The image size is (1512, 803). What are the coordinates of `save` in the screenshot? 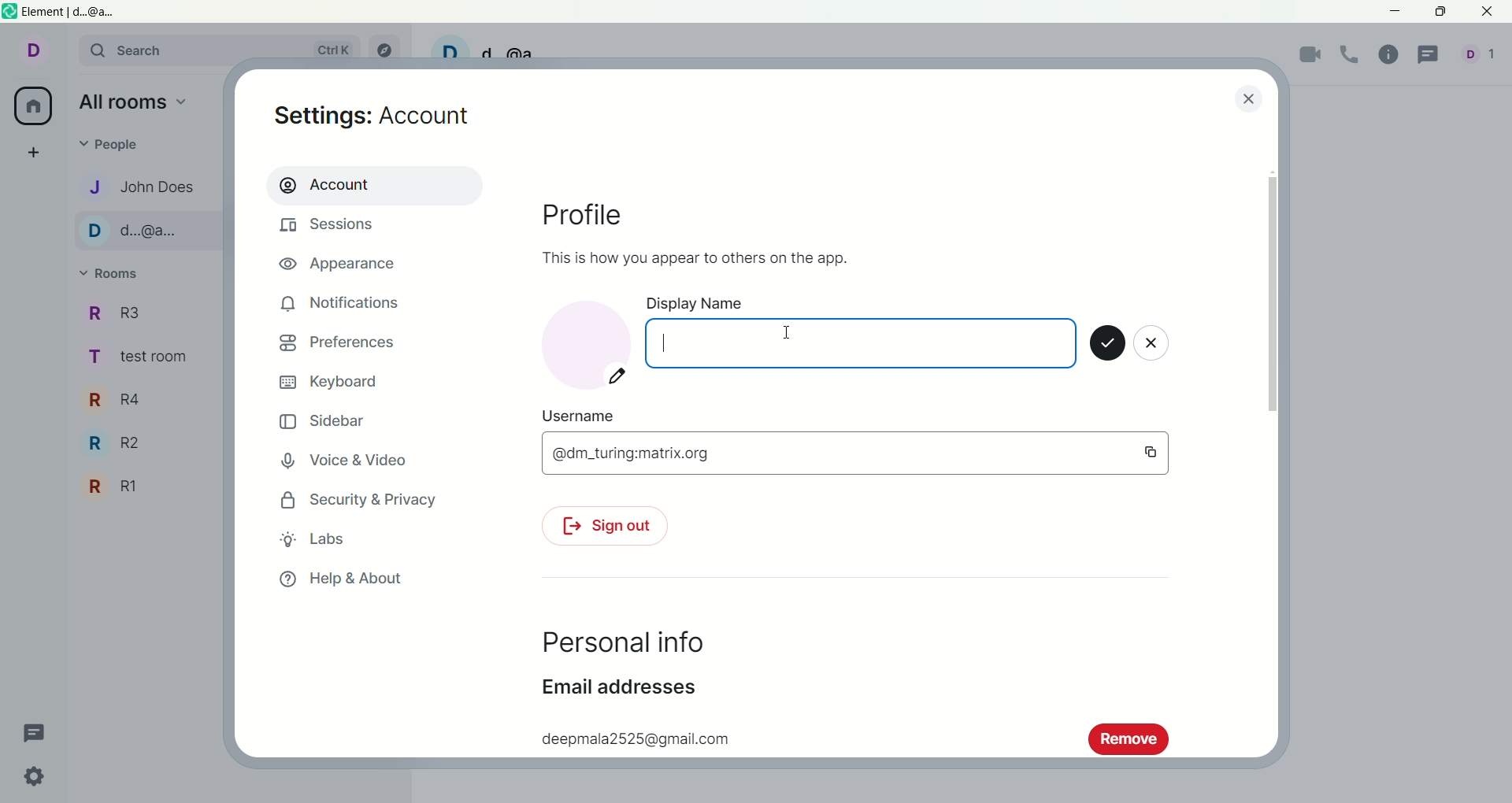 It's located at (1107, 345).